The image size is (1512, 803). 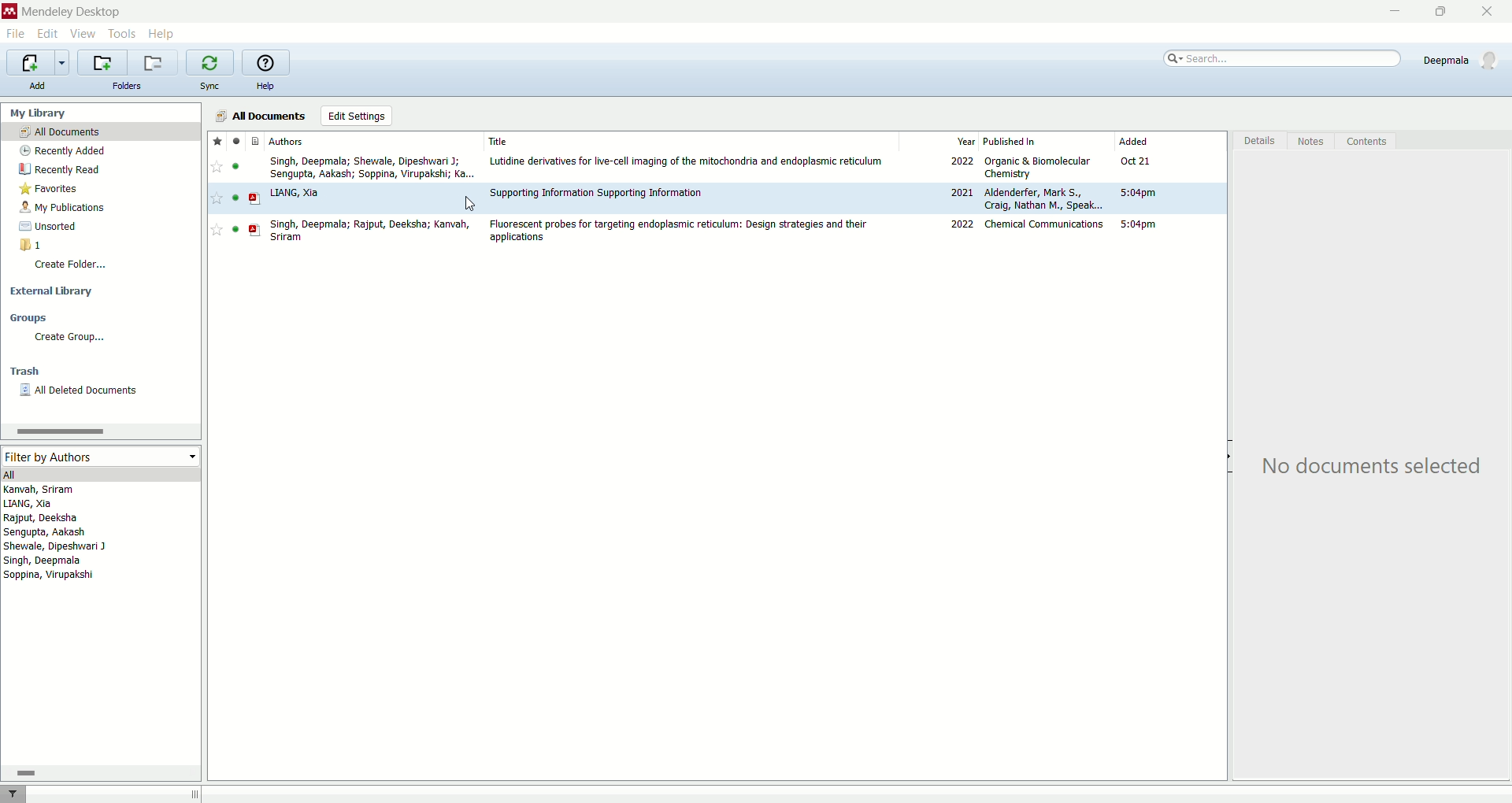 I want to click on external library, so click(x=51, y=293).